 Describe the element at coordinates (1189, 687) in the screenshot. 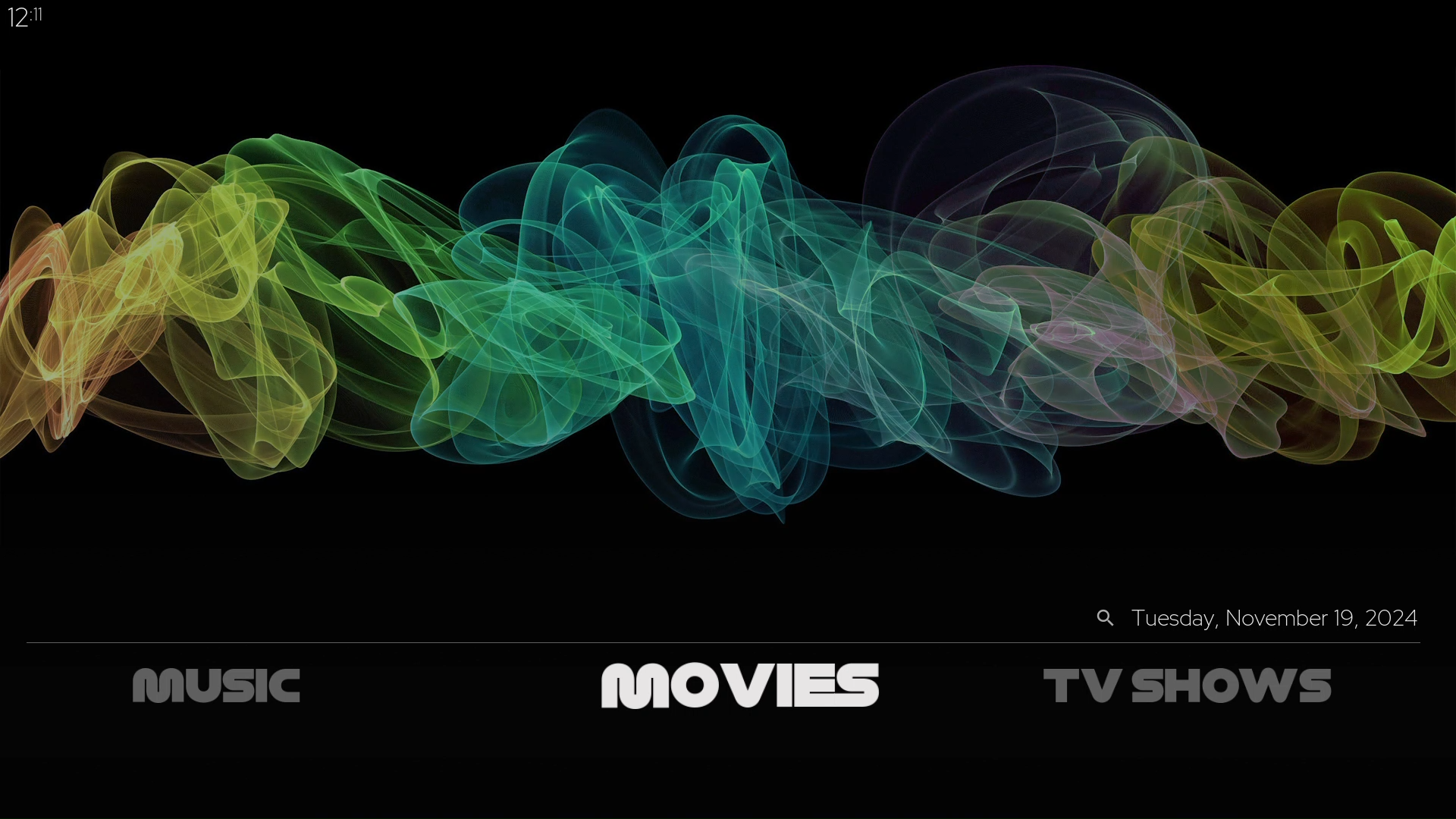

I see `tv shows` at that location.